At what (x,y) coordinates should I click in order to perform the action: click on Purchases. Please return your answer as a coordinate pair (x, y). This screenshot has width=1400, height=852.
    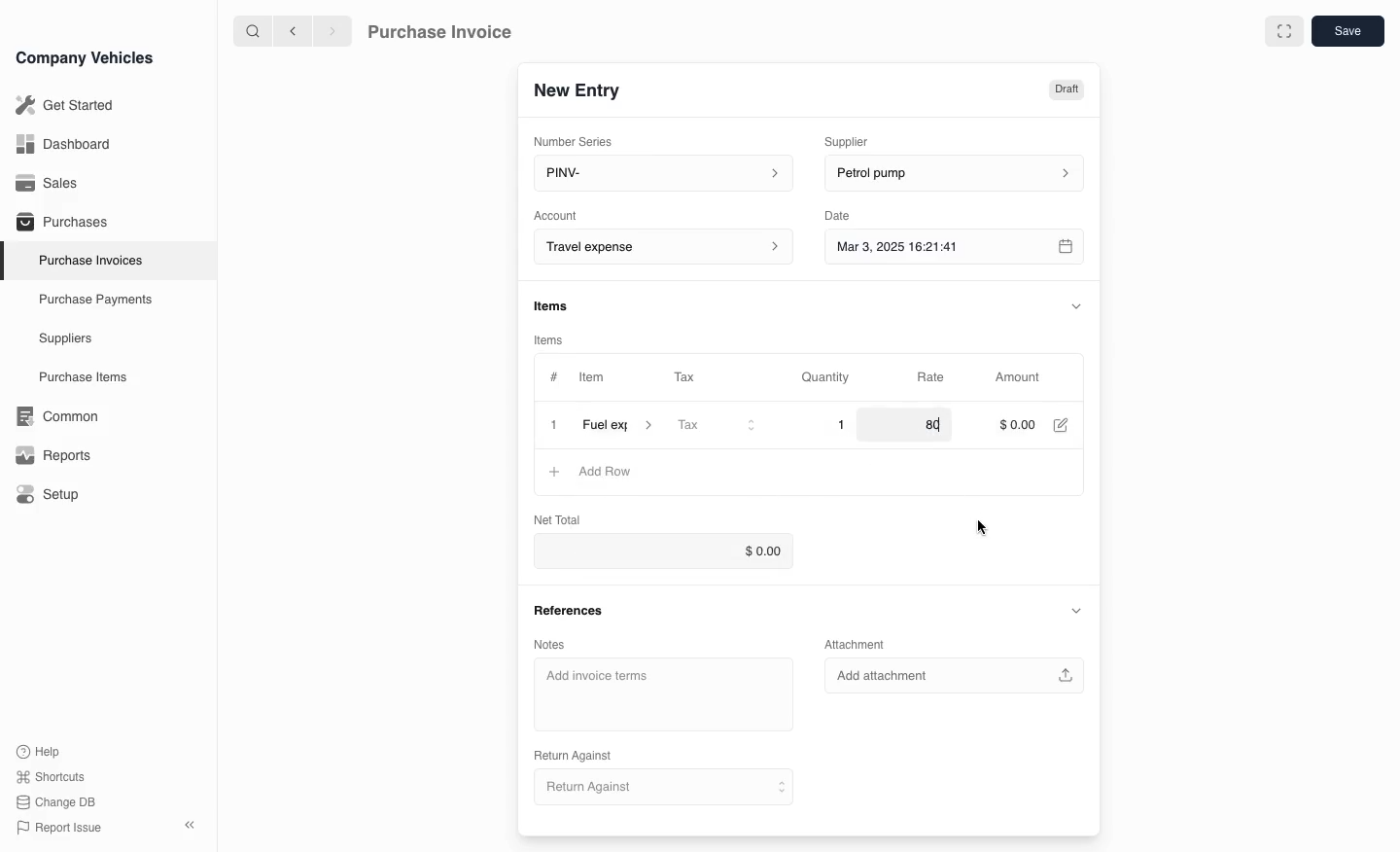
    Looking at the image, I should click on (57, 224).